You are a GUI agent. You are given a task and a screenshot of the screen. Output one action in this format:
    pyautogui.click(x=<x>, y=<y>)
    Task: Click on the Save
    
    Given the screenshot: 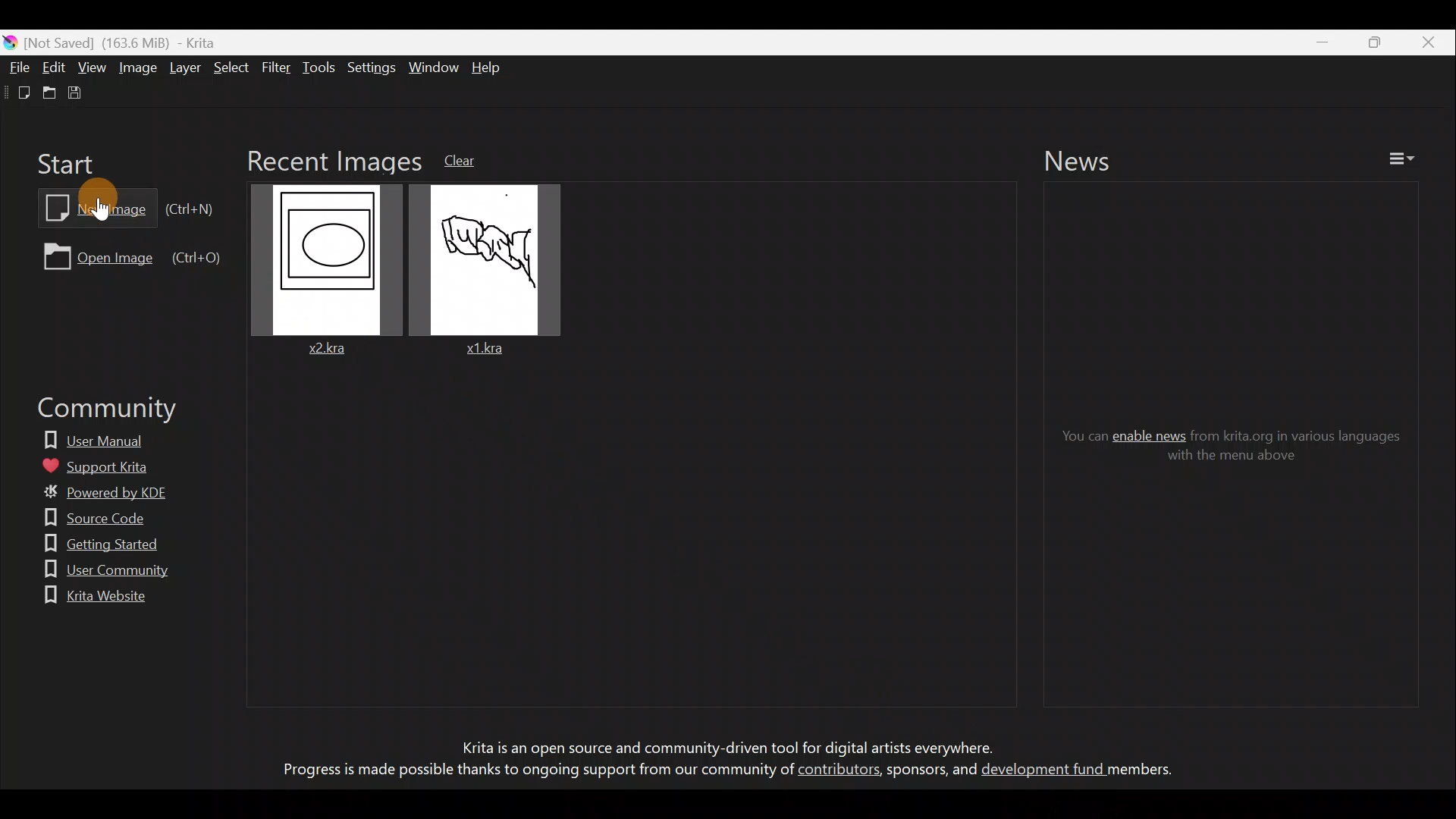 What is the action you would take?
    pyautogui.click(x=79, y=96)
    